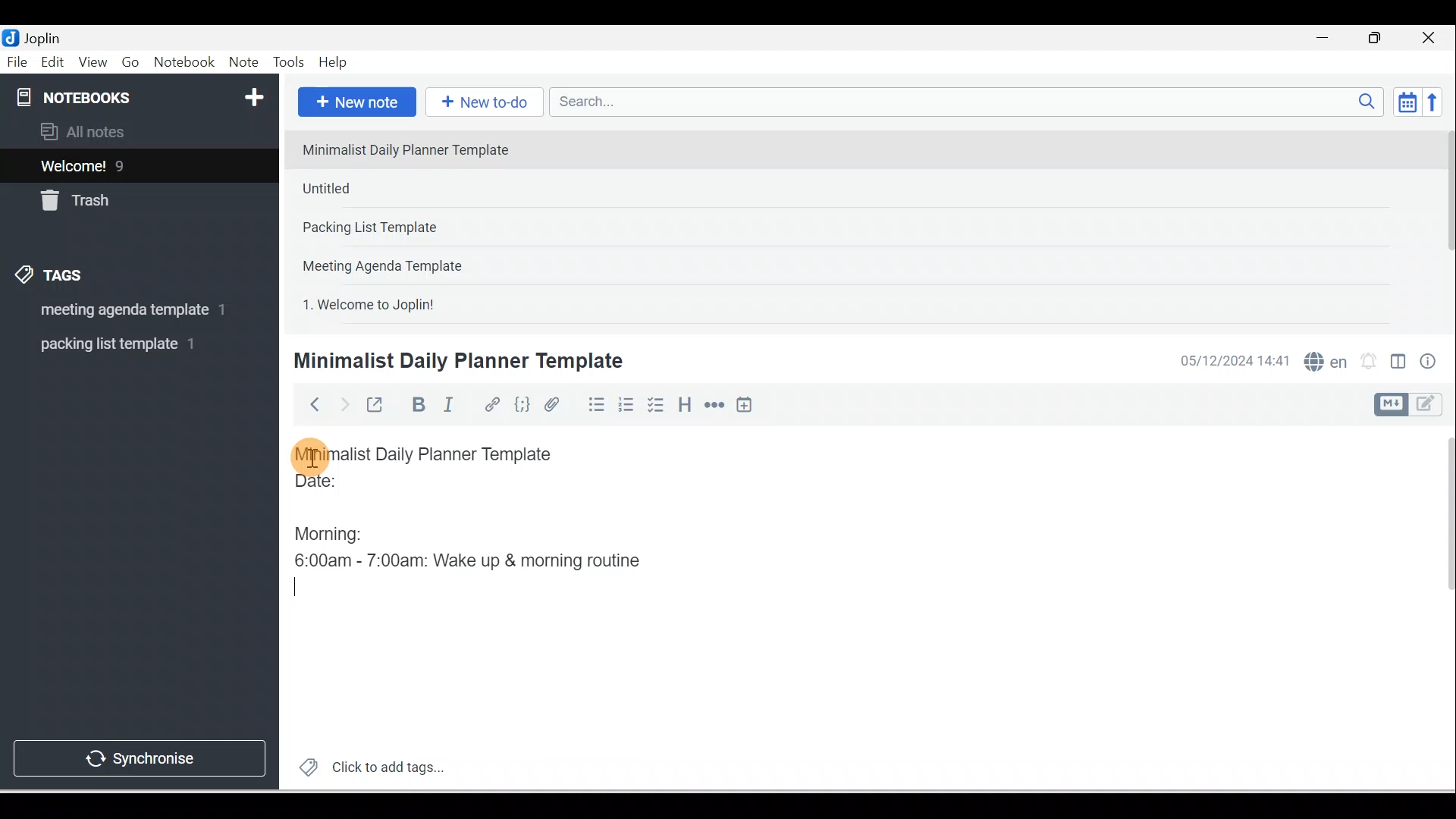  What do you see at coordinates (1323, 359) in the screenshot?
I see `Spelling` at bounding box center [1323, 359].